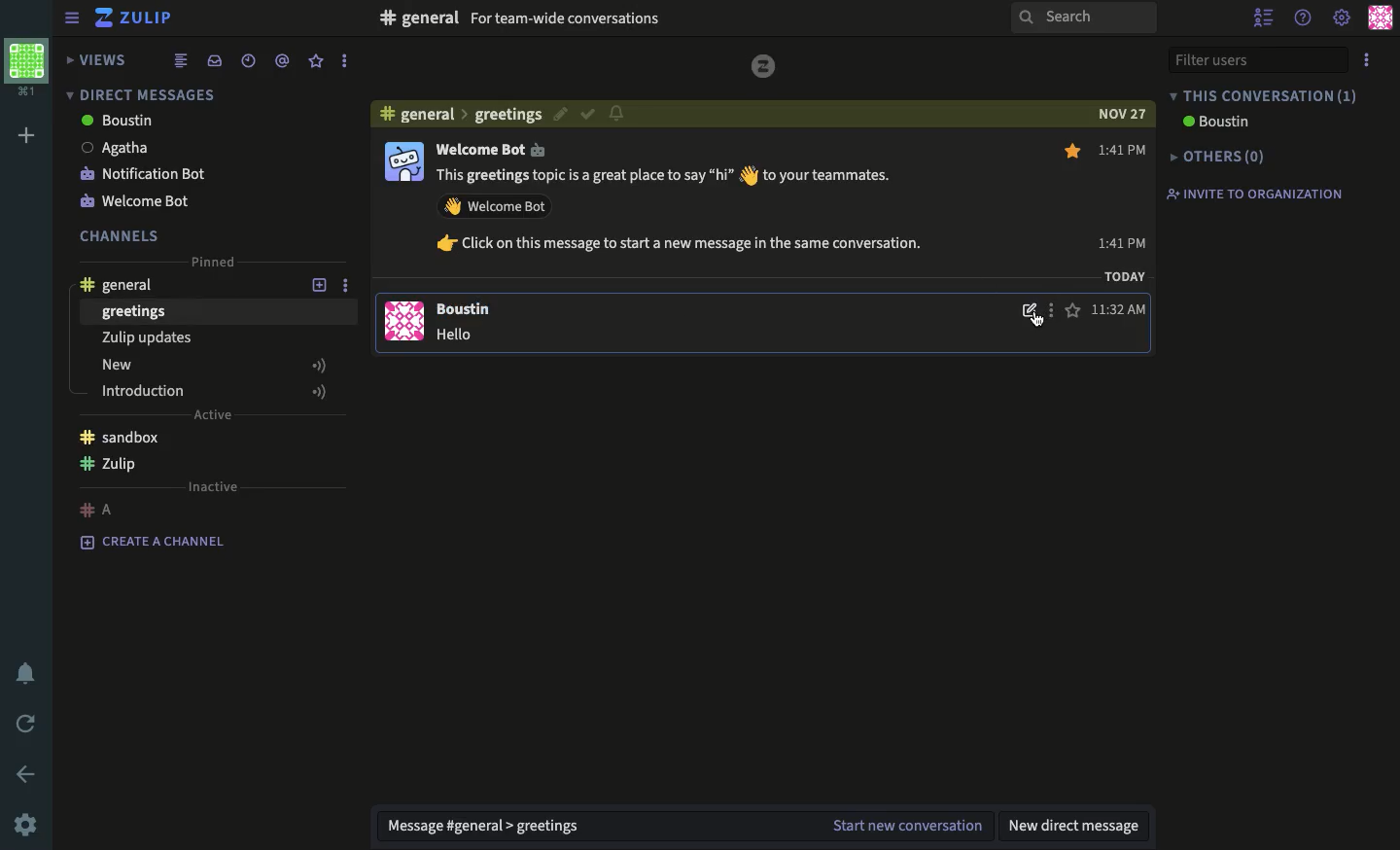 The image size is (1400, 850). Describe the element at coordinates (764, 66) in the screenshot. I see `Zulip` at that location.